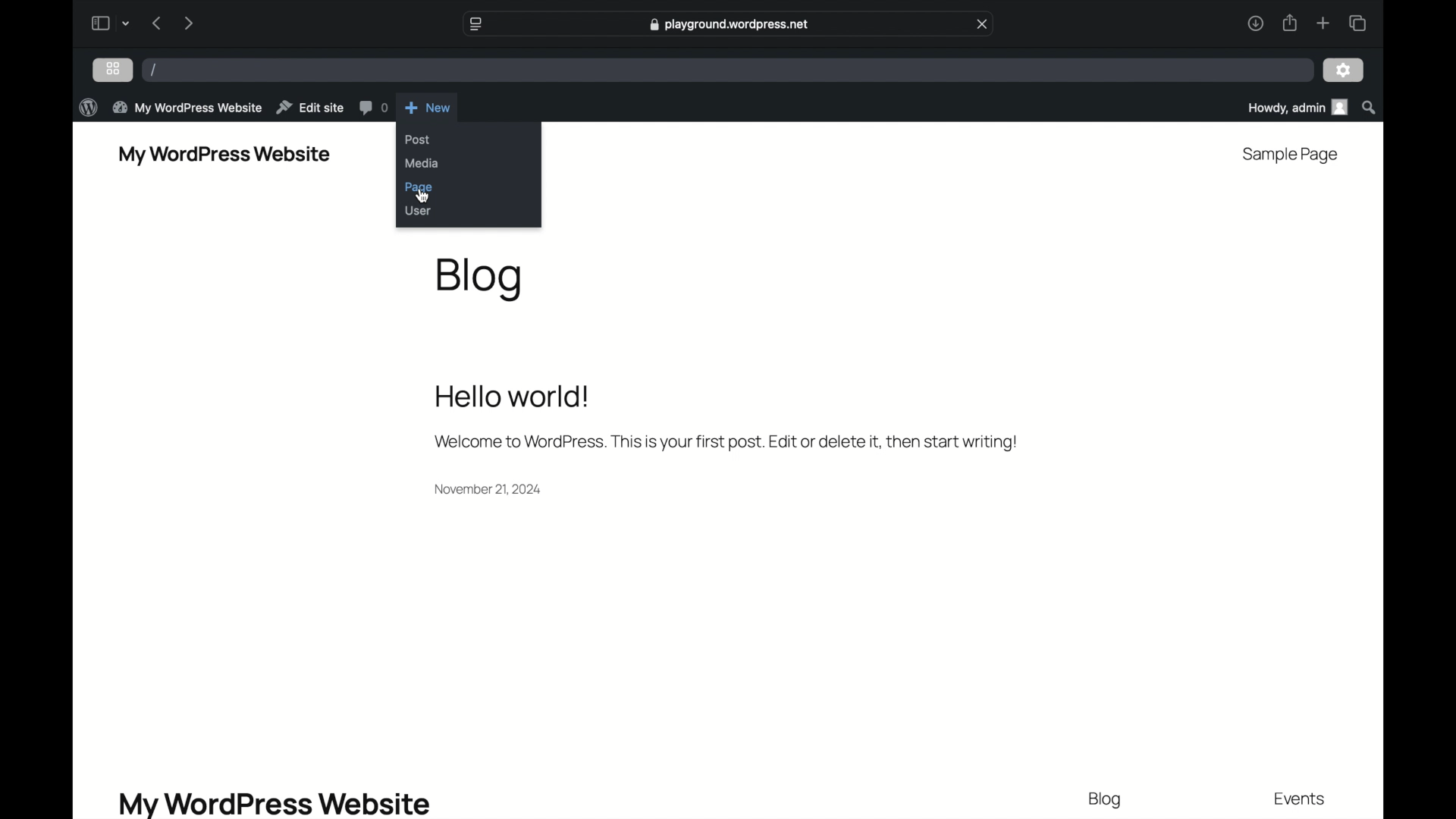 This screenshot has height=819, width=1456. What do you see at coordinates (156, 24) in the screenshot?
I see `previous page` at bounding box center [156, 24].